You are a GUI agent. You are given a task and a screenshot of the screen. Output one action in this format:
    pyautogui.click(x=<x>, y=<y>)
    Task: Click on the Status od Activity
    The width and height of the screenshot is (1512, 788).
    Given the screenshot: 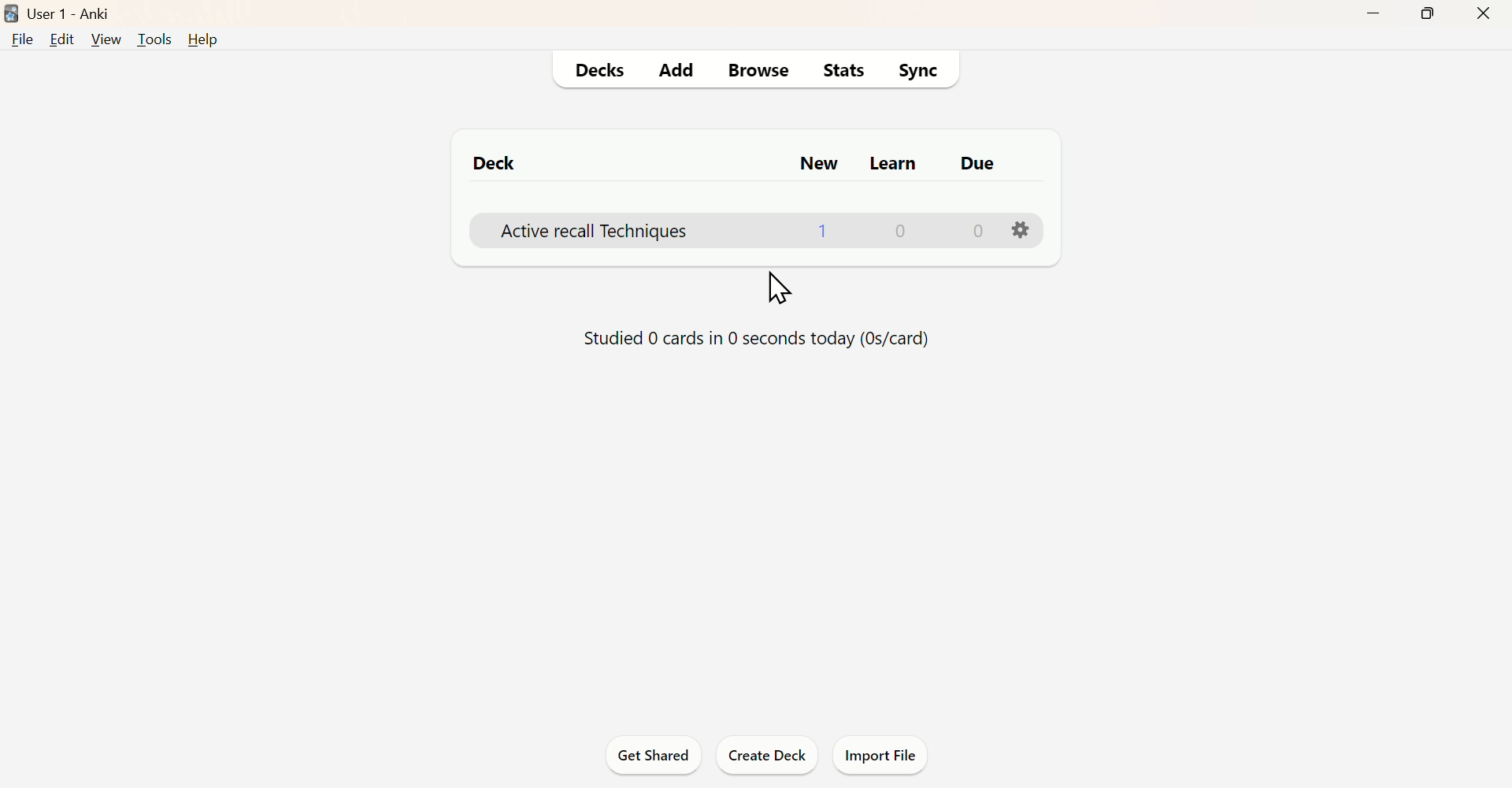 What is the action you would take?
    pyautogui.click(x=760, y=338)
    